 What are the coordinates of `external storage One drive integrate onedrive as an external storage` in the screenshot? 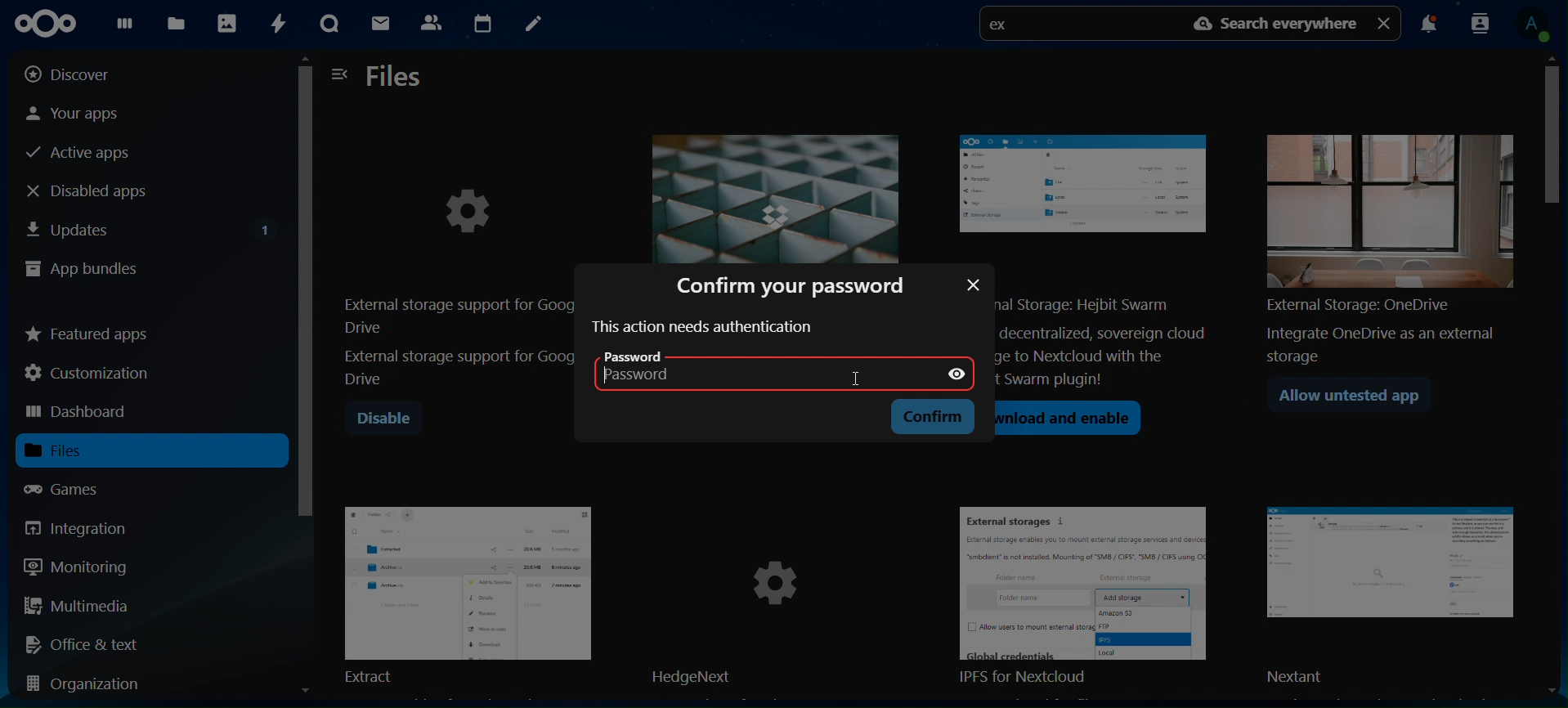 It's located at (1384, 242).